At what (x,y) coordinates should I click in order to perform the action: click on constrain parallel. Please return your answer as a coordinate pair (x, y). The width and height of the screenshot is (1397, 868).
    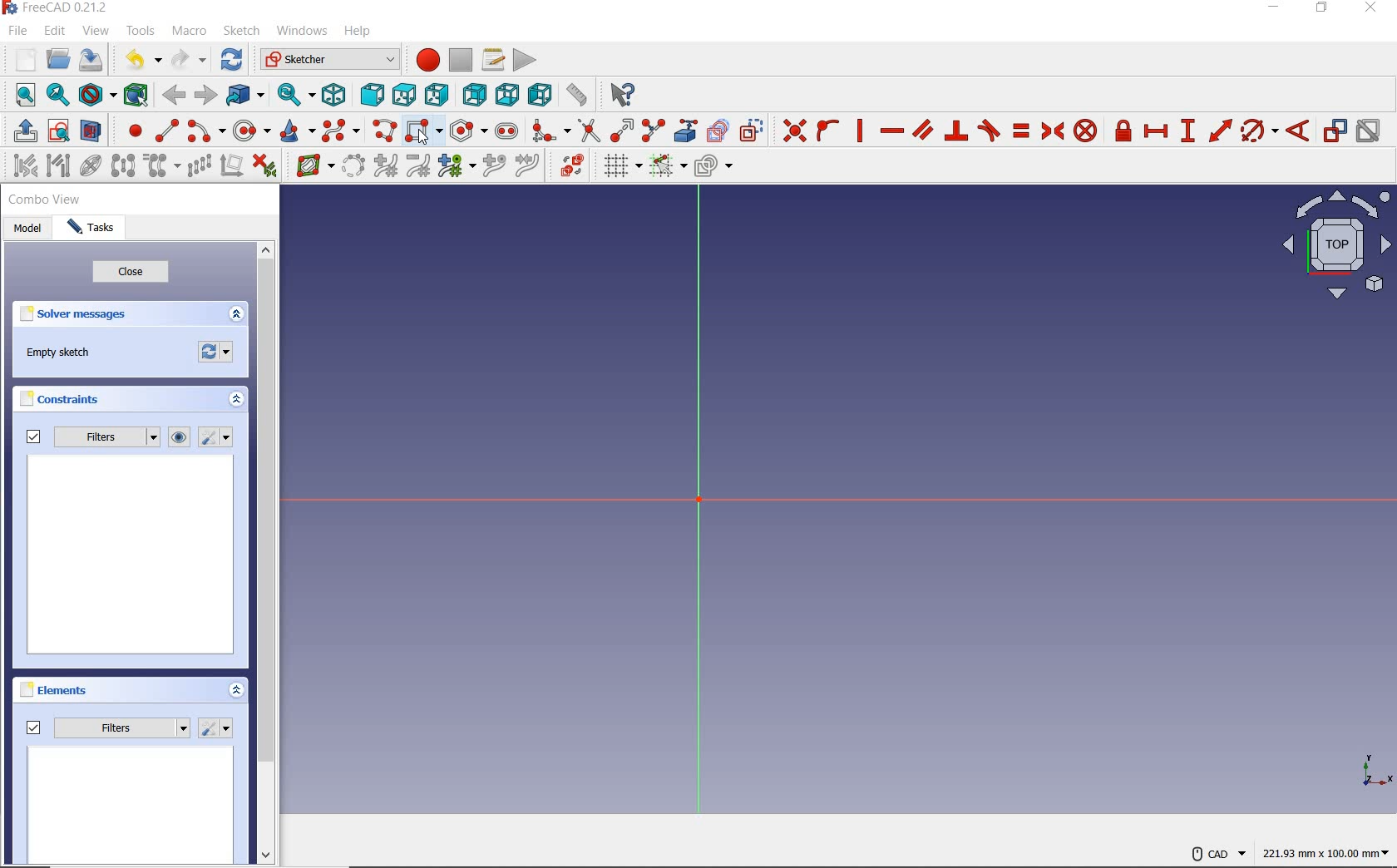
    Looking at the image, I should click on (923, 130).